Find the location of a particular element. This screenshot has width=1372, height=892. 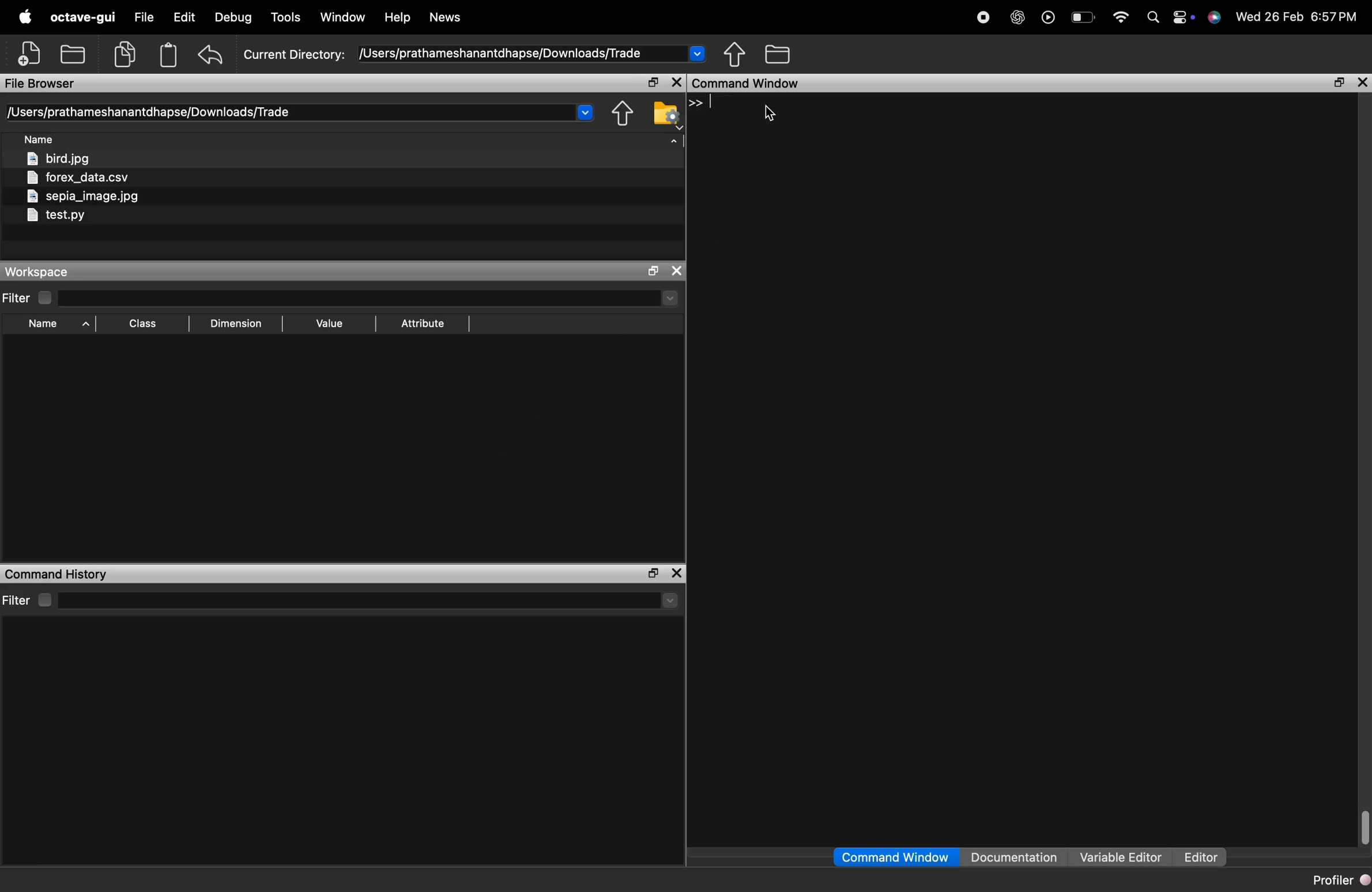

sory by name is located at coordinates (61, 324).